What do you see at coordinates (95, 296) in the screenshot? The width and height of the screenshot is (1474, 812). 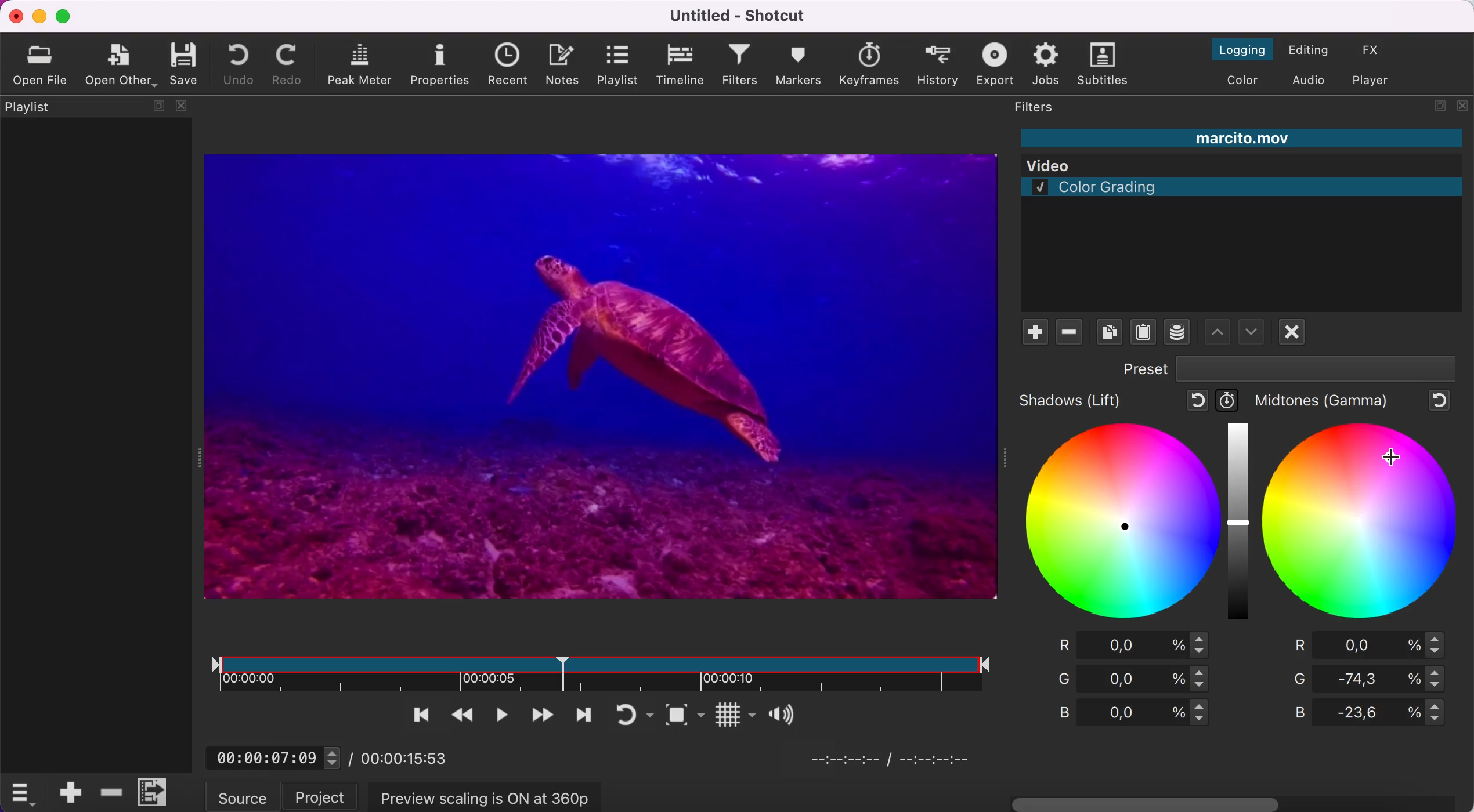 I see `playlist panel` at bounding box center [95, 296].